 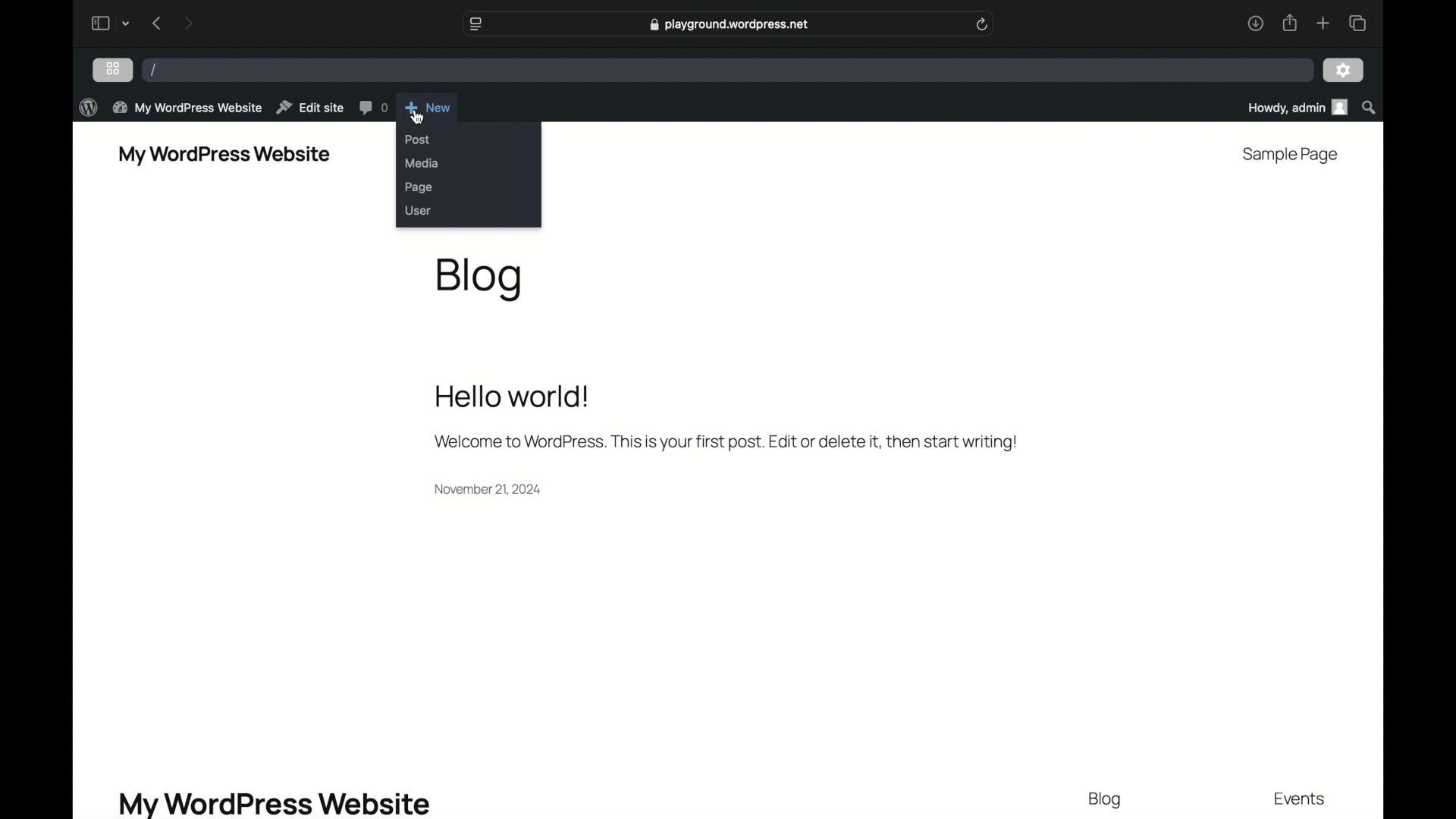 I want to click on My wordpresss website, so click(x=224, y=155).